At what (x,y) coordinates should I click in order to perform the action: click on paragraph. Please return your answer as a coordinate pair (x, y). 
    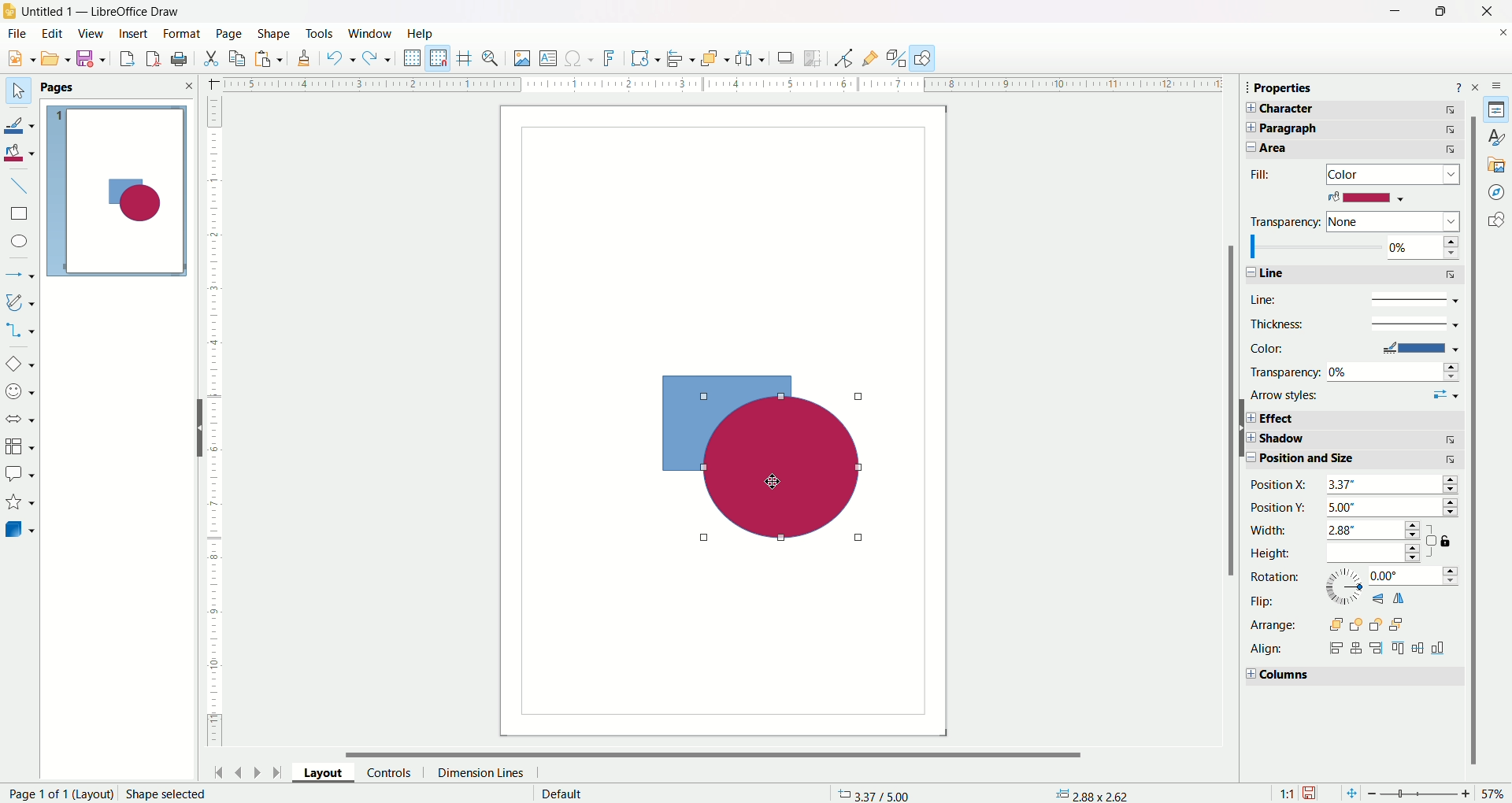
    Looking at the image, I should click on (1363, 129).